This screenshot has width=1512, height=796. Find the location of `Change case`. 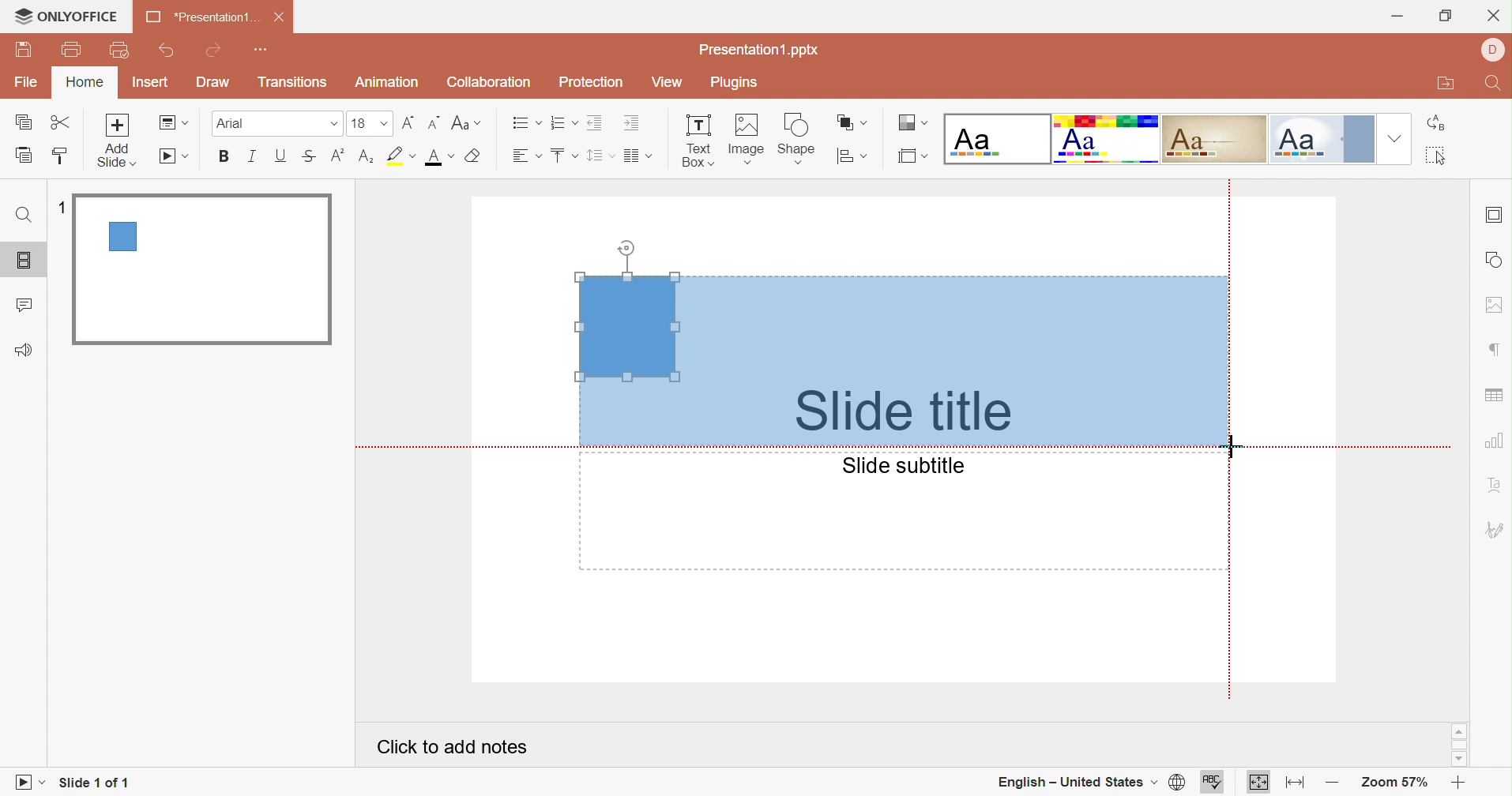

Change case is located at coordinates (465, 123).